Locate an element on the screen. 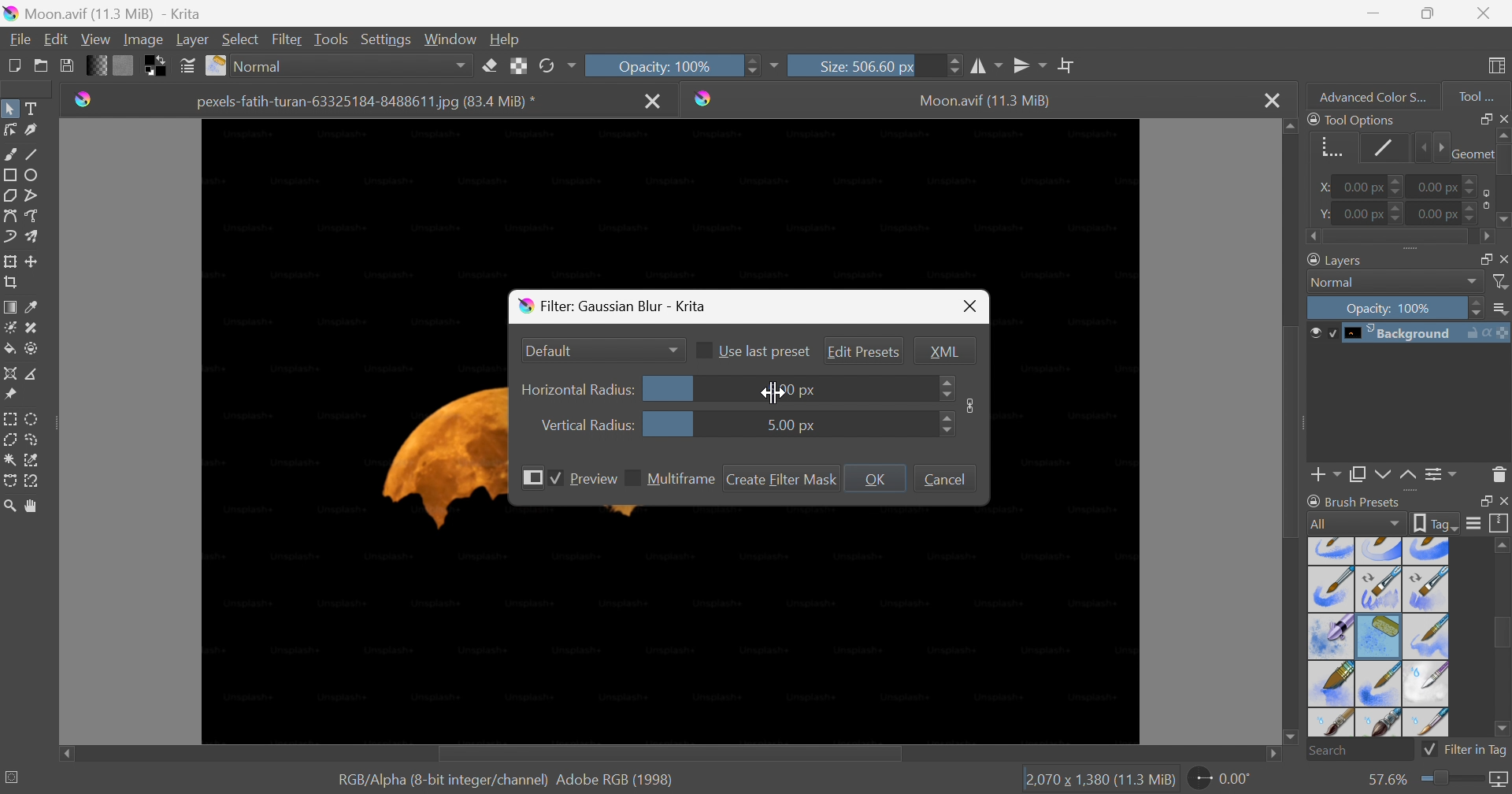  Background is located at coordinates (1408, 334).